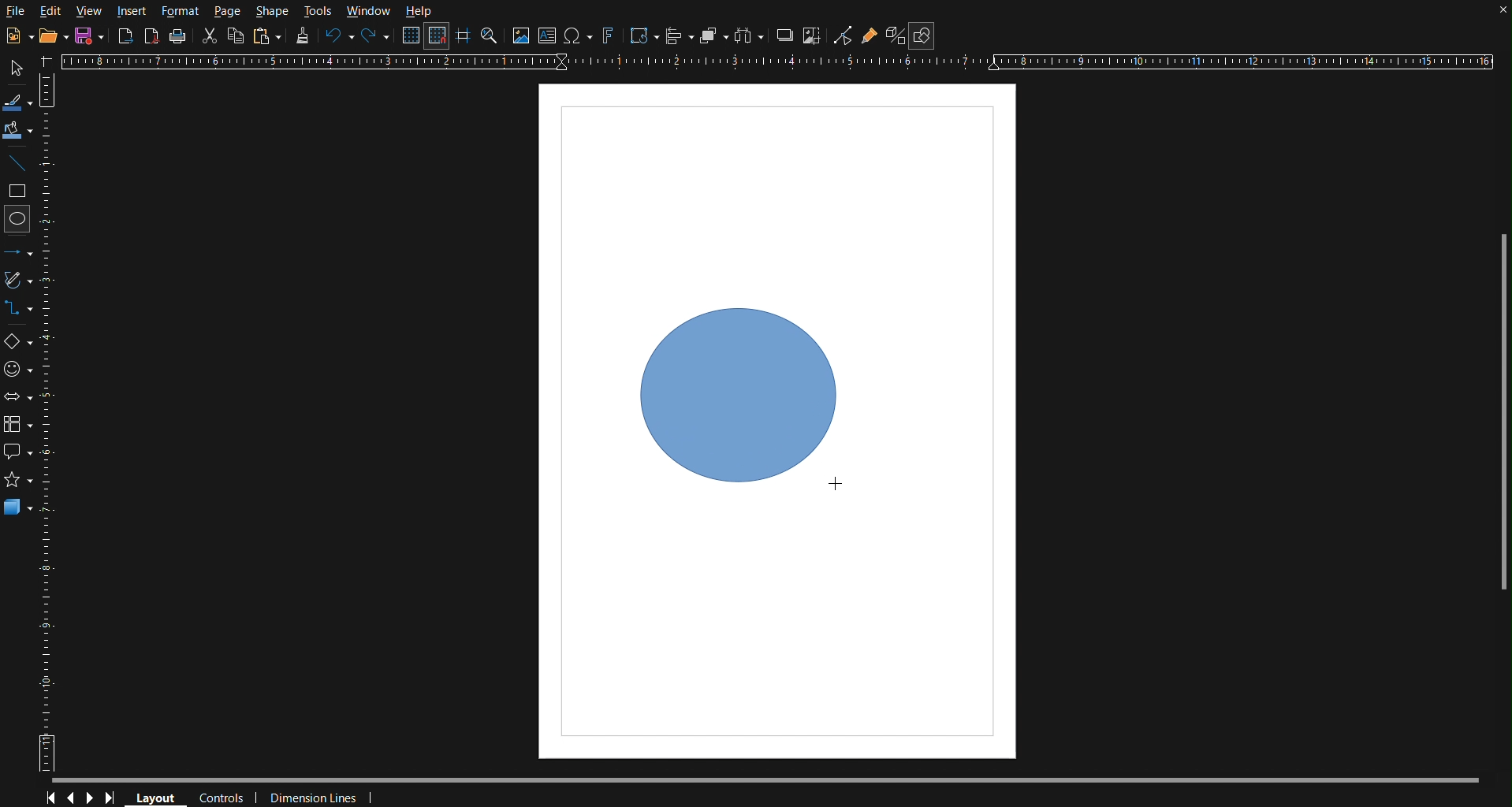  Describe the element at coordinates (372, 36) in the screenshot. I see `Redo` at that location.